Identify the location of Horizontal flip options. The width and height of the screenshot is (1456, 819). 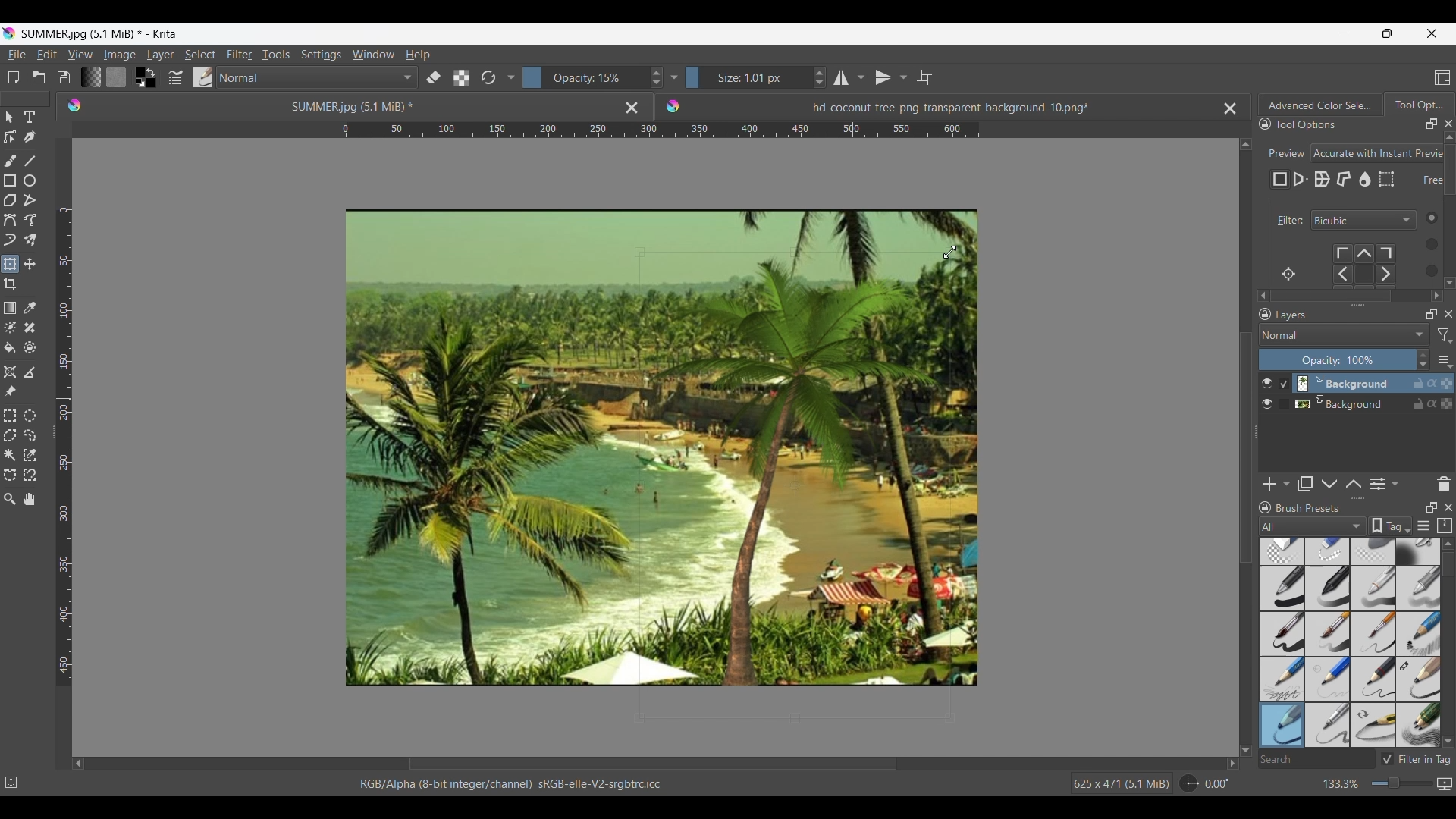
(841, 77).